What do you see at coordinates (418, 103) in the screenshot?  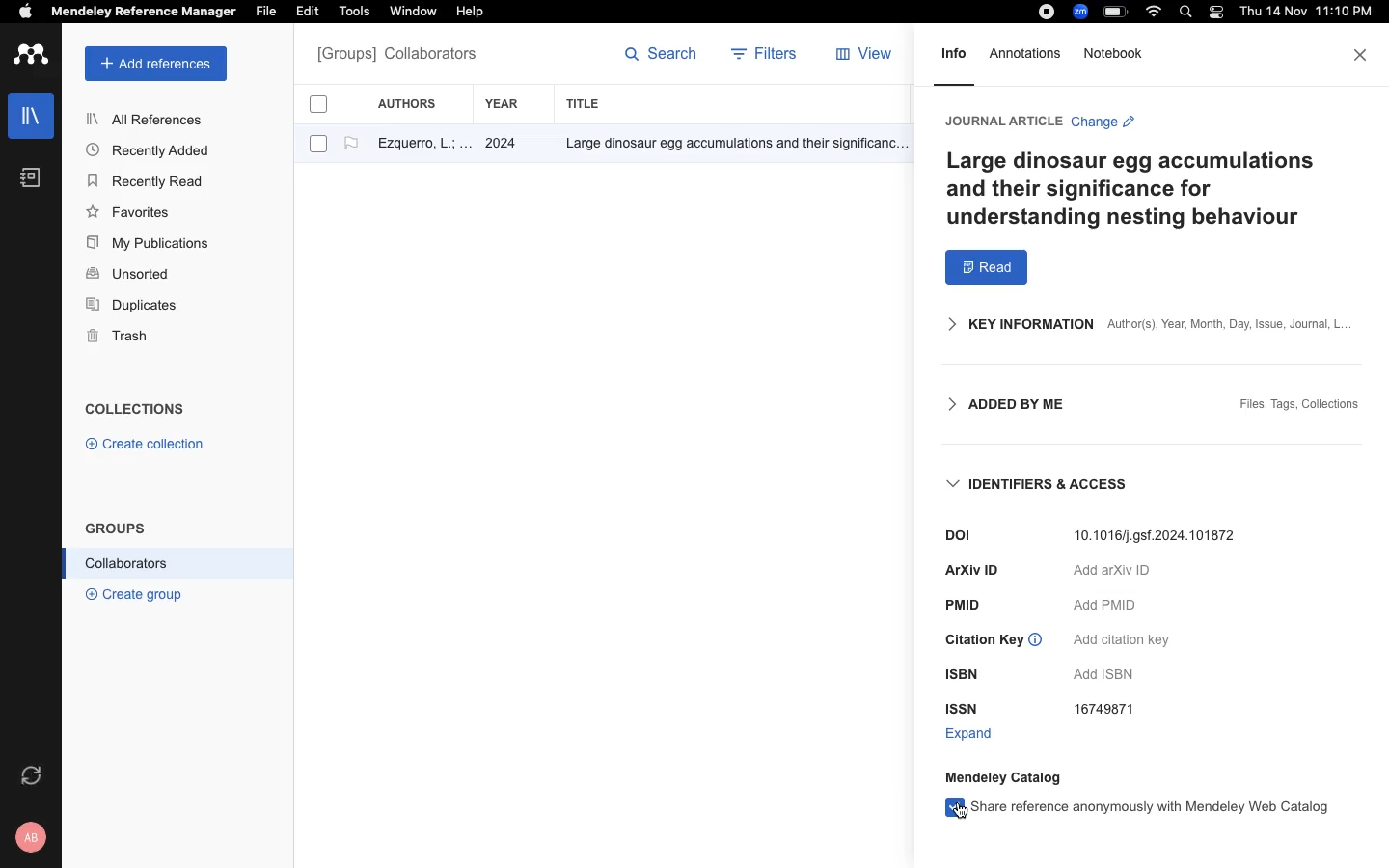 I see `authors` at bounding box center [418, 103].